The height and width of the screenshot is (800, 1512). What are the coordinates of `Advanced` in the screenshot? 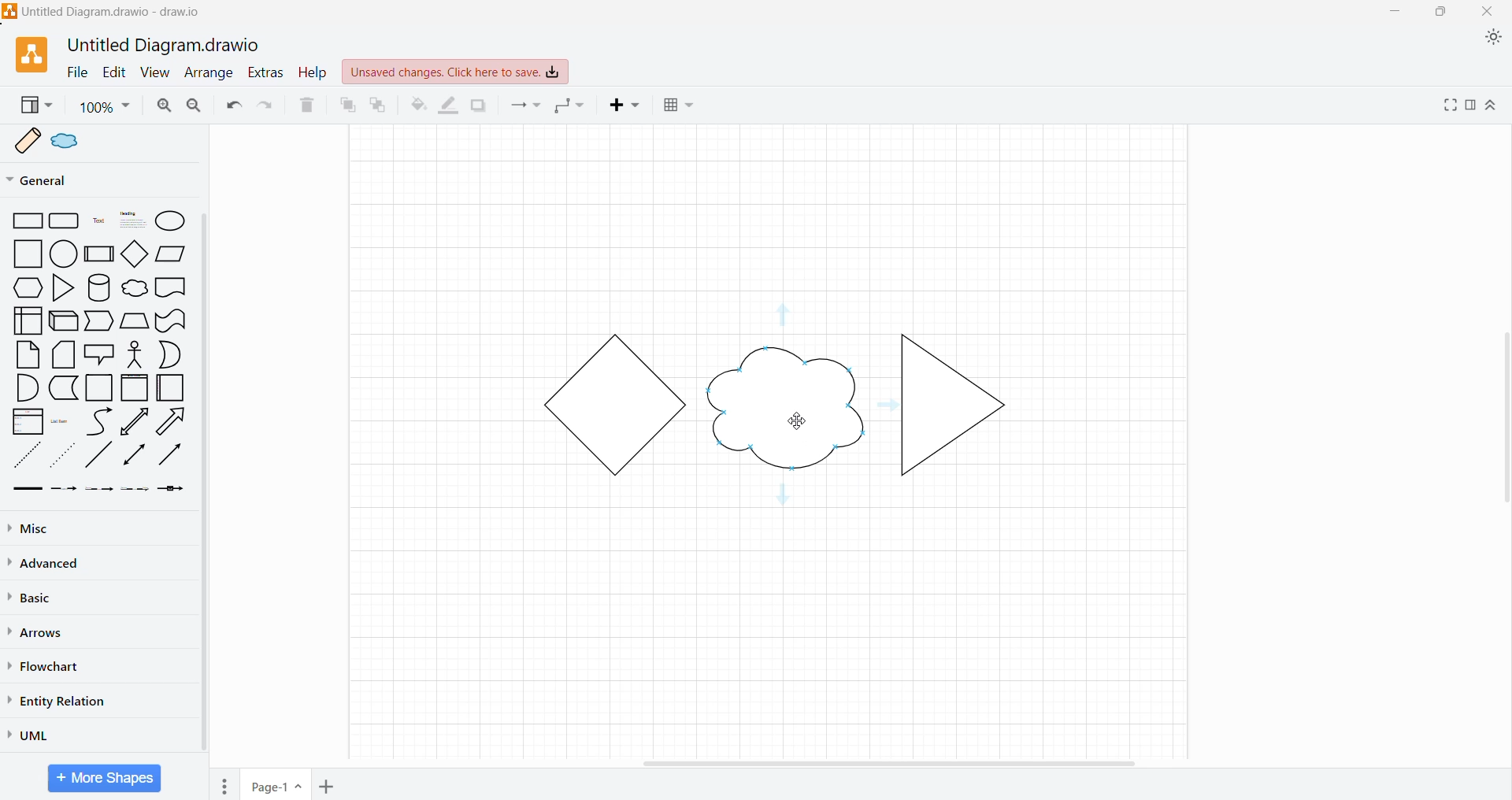 It's located at (46, 563).